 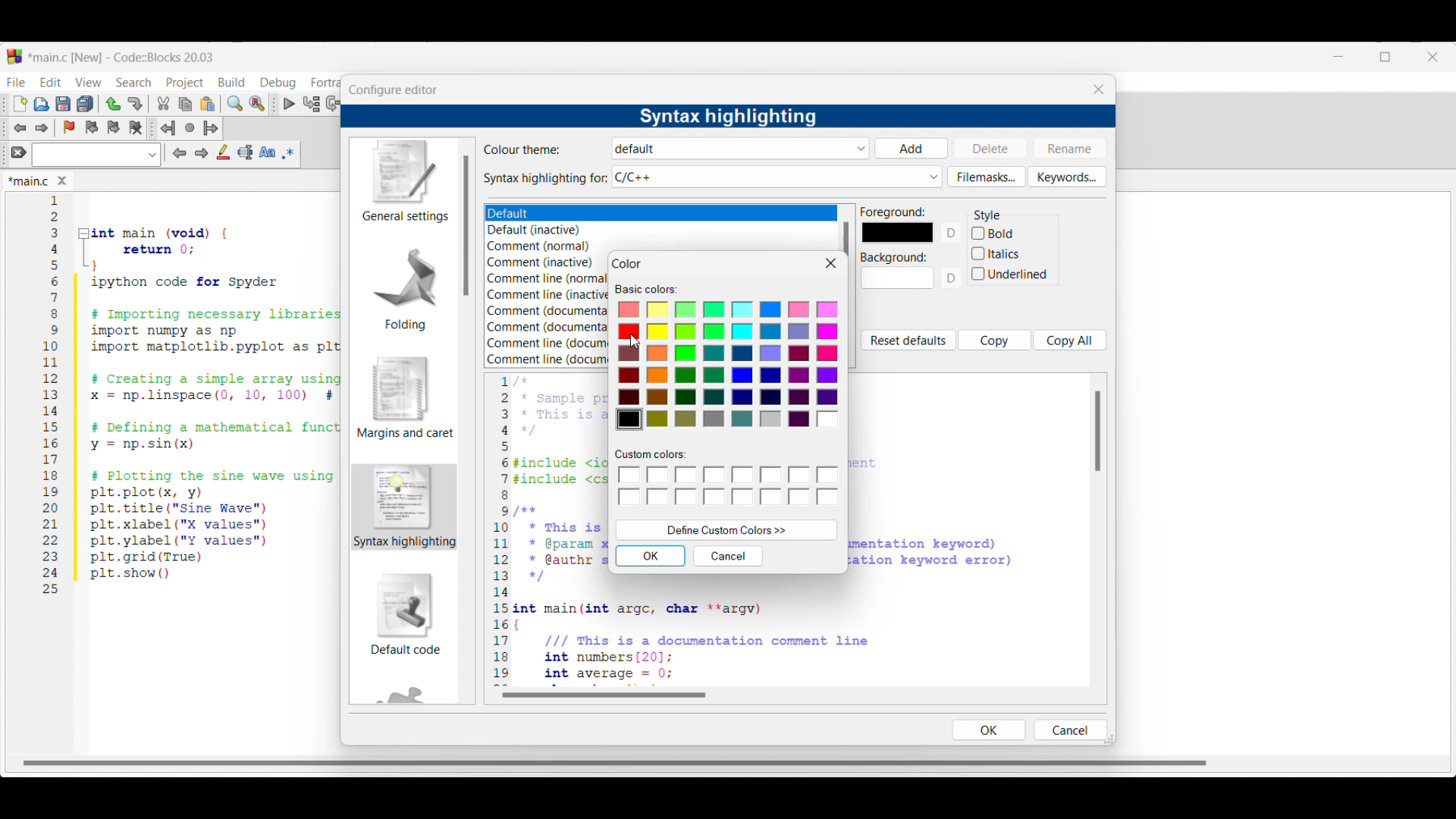 I want to click on Comment line (documentation, inactive, so click(x=548, y=359).